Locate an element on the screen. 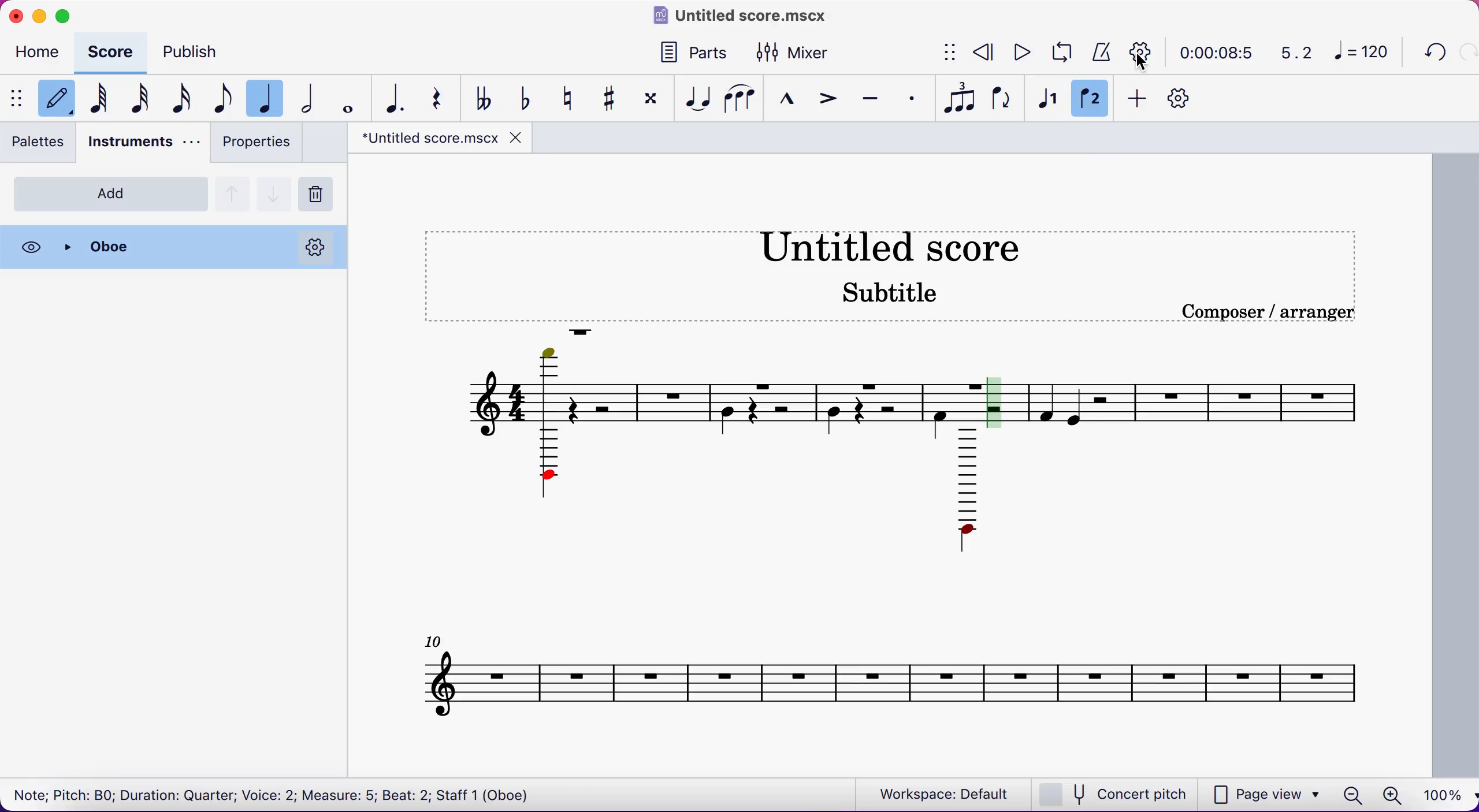  toggle flat is located at coordinates (526, 98).